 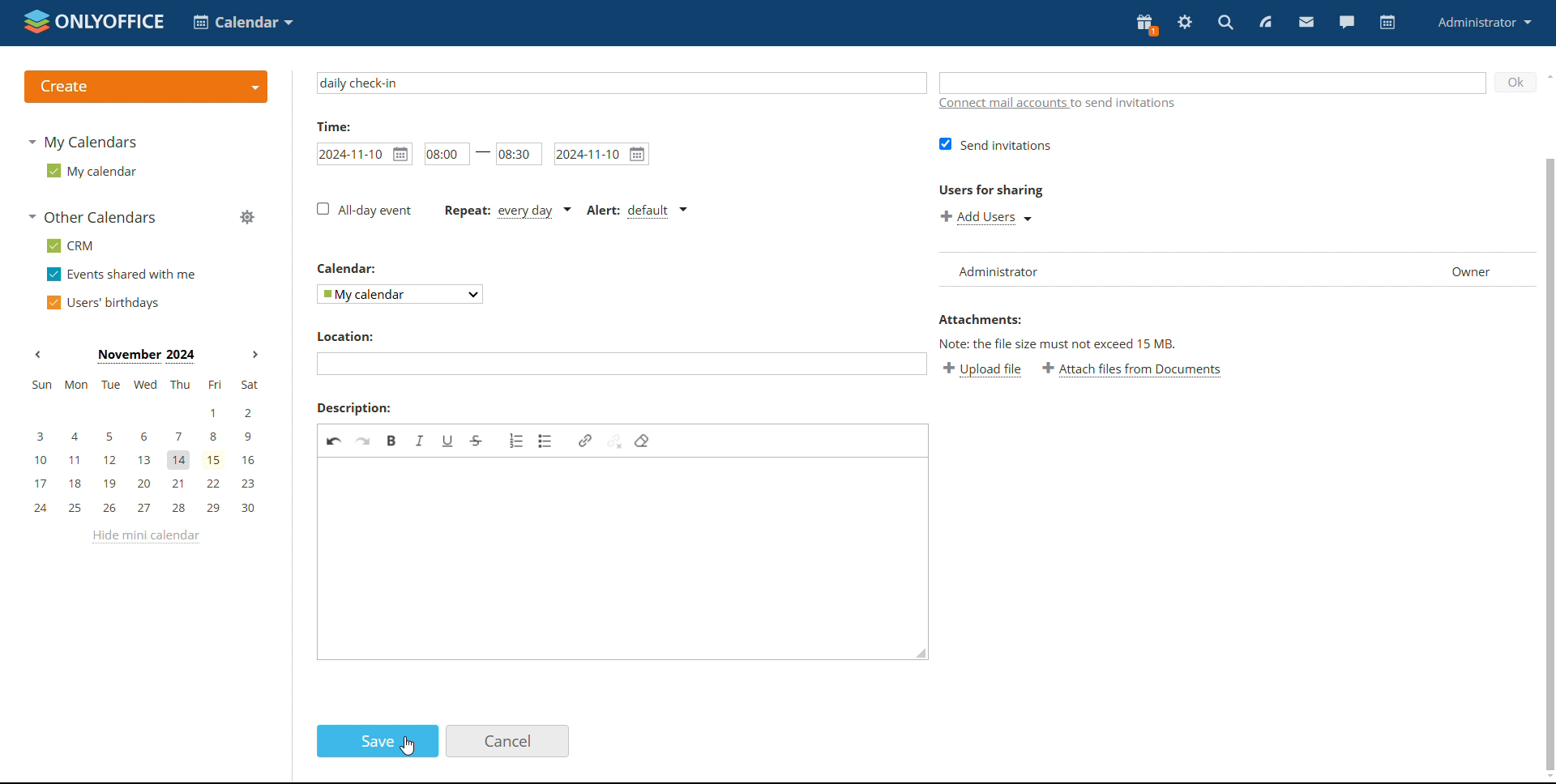 I want to click on other calendars, so click(x=91, y=219).